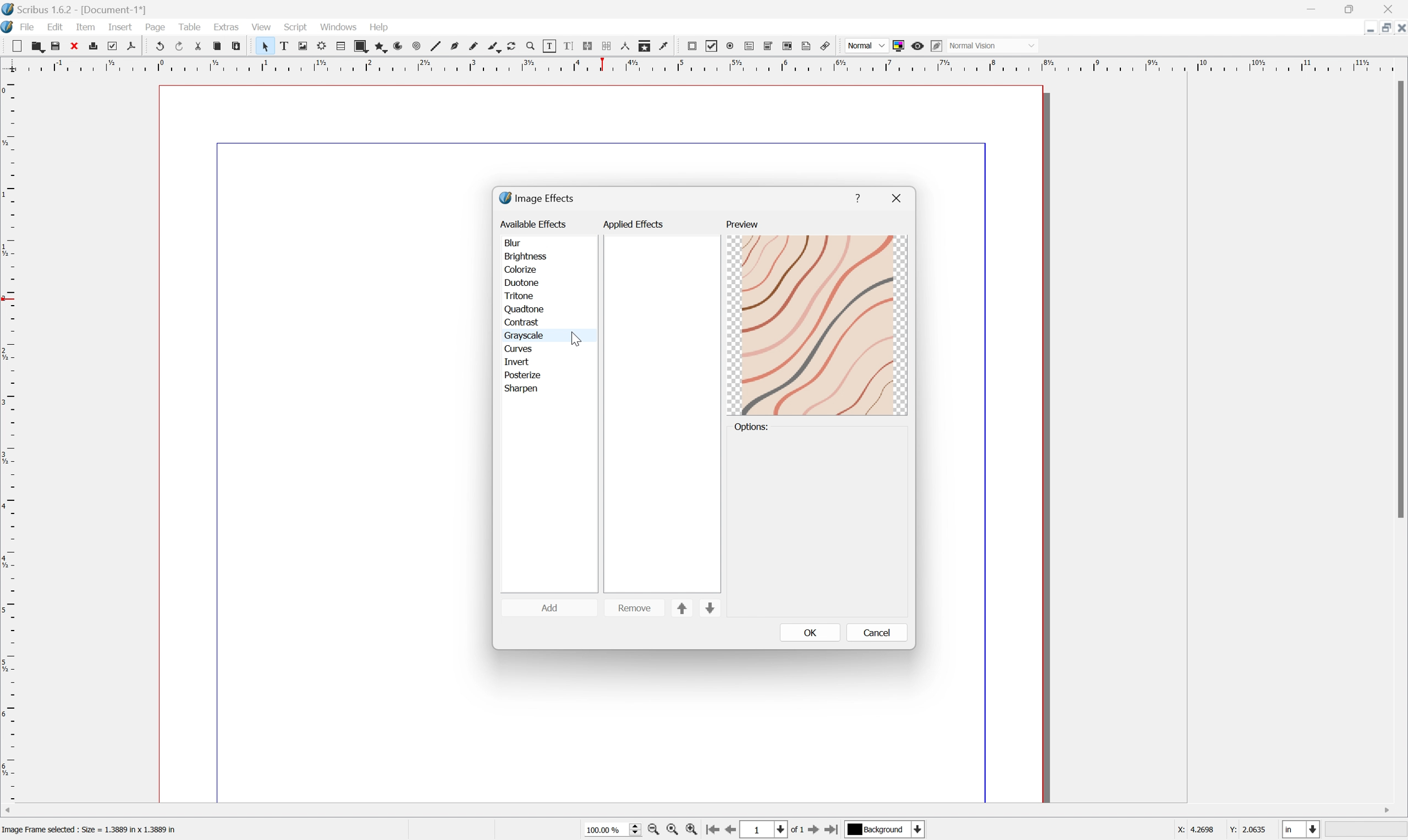  What do you see at coordinates (901, 45) in the screenshot?
I see `Toggle color management system` at bounding box center [901, 45].